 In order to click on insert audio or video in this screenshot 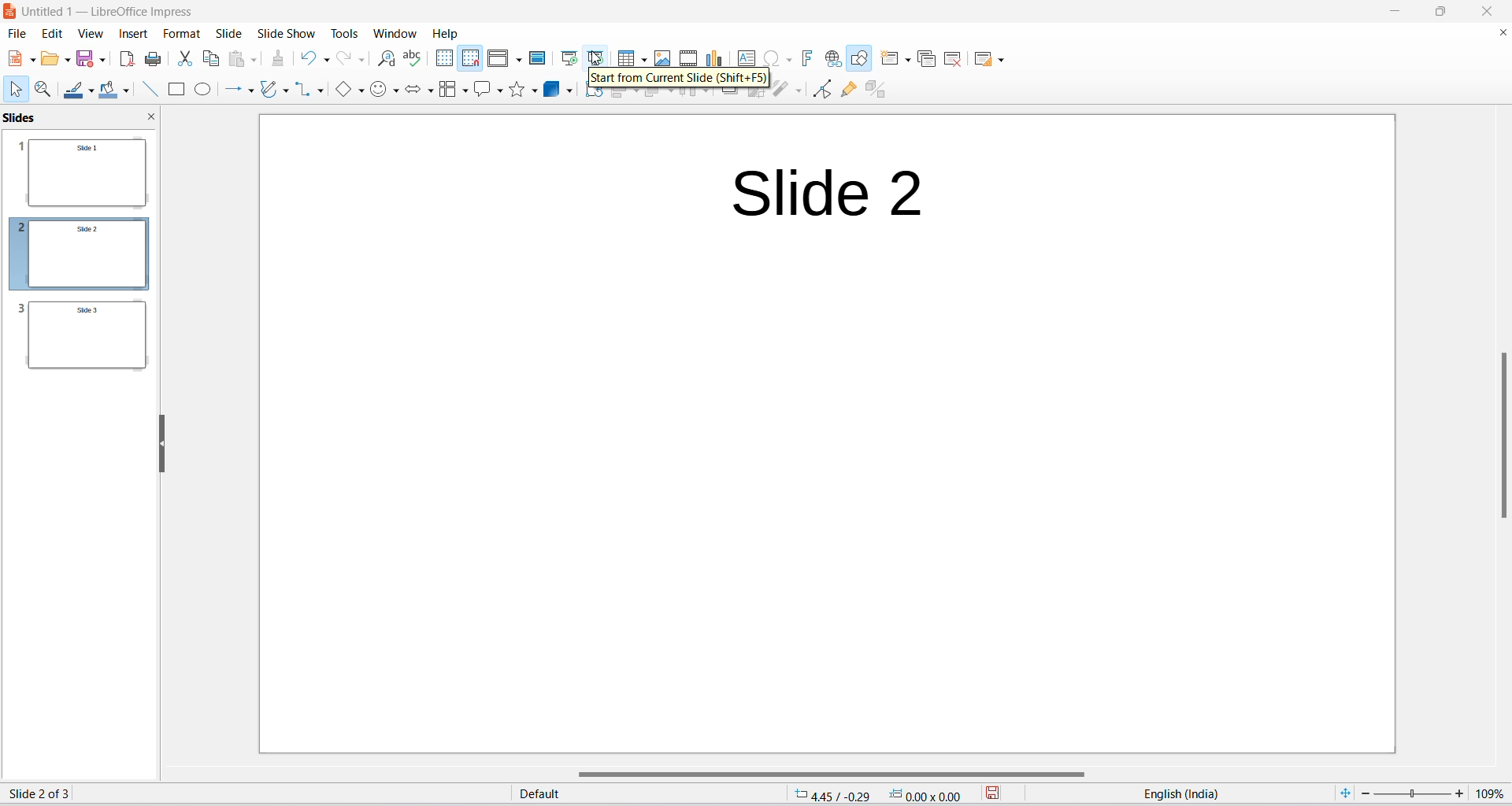, I will do `click(688, 54)`.